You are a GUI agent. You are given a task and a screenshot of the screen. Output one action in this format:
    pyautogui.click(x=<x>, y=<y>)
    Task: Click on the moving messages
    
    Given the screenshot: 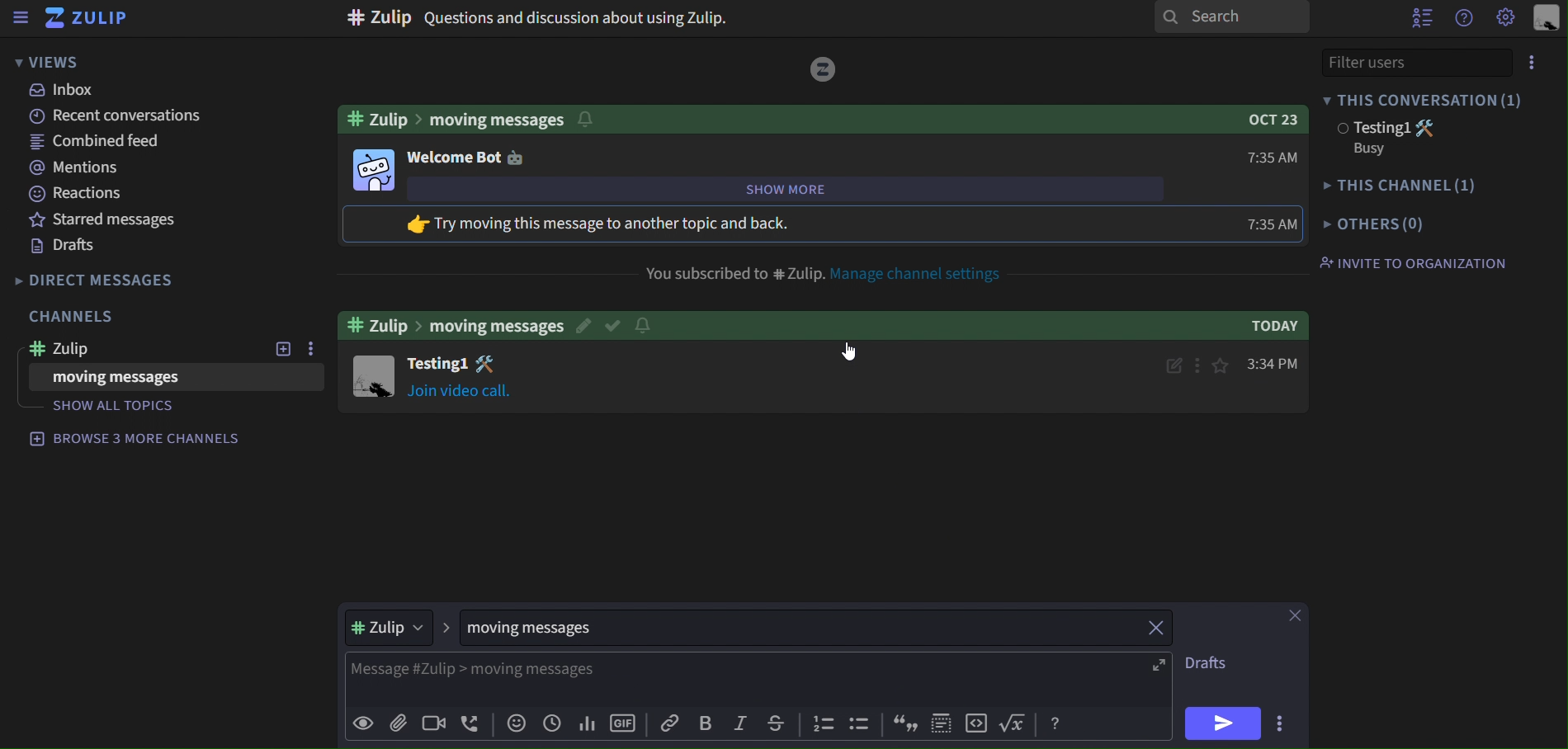 What is the action you would take?
    pyautogui.click(x=125, y=377)
    